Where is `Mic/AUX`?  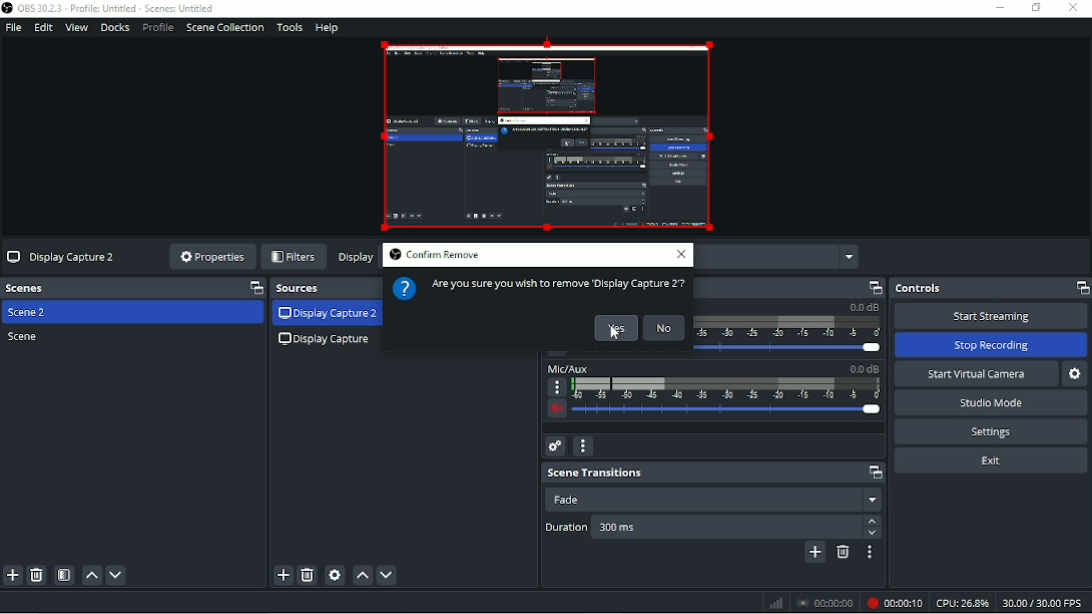 Mic/AUX is located at coordinates (713, 393).